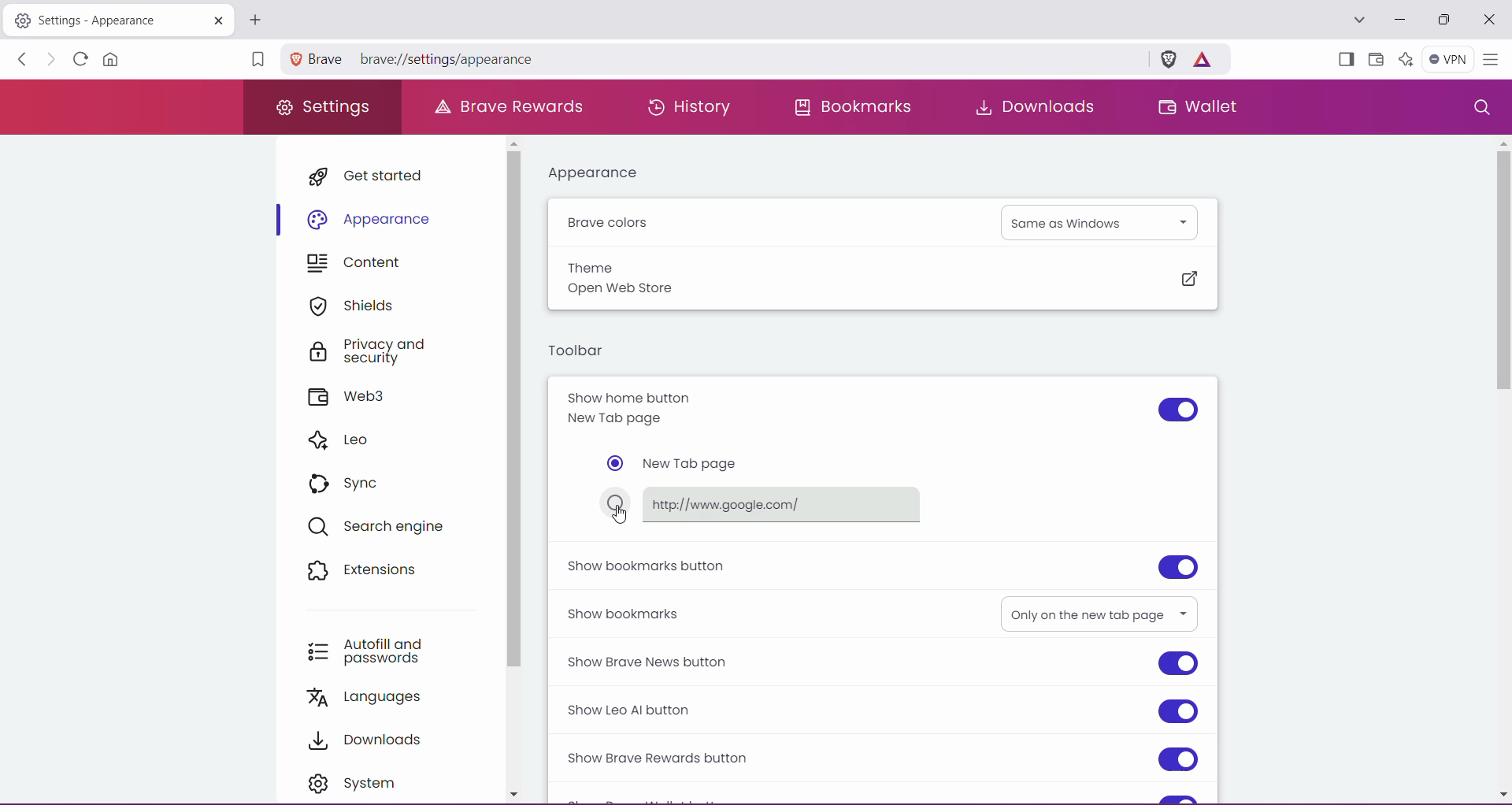 Image resolution: width=1512 pixels, height=805 pixels. What do you see at coordinates (1499, 469) in the screenshot?
I see `Vertical Scroll Bar` at bounding box center [1499, 469].